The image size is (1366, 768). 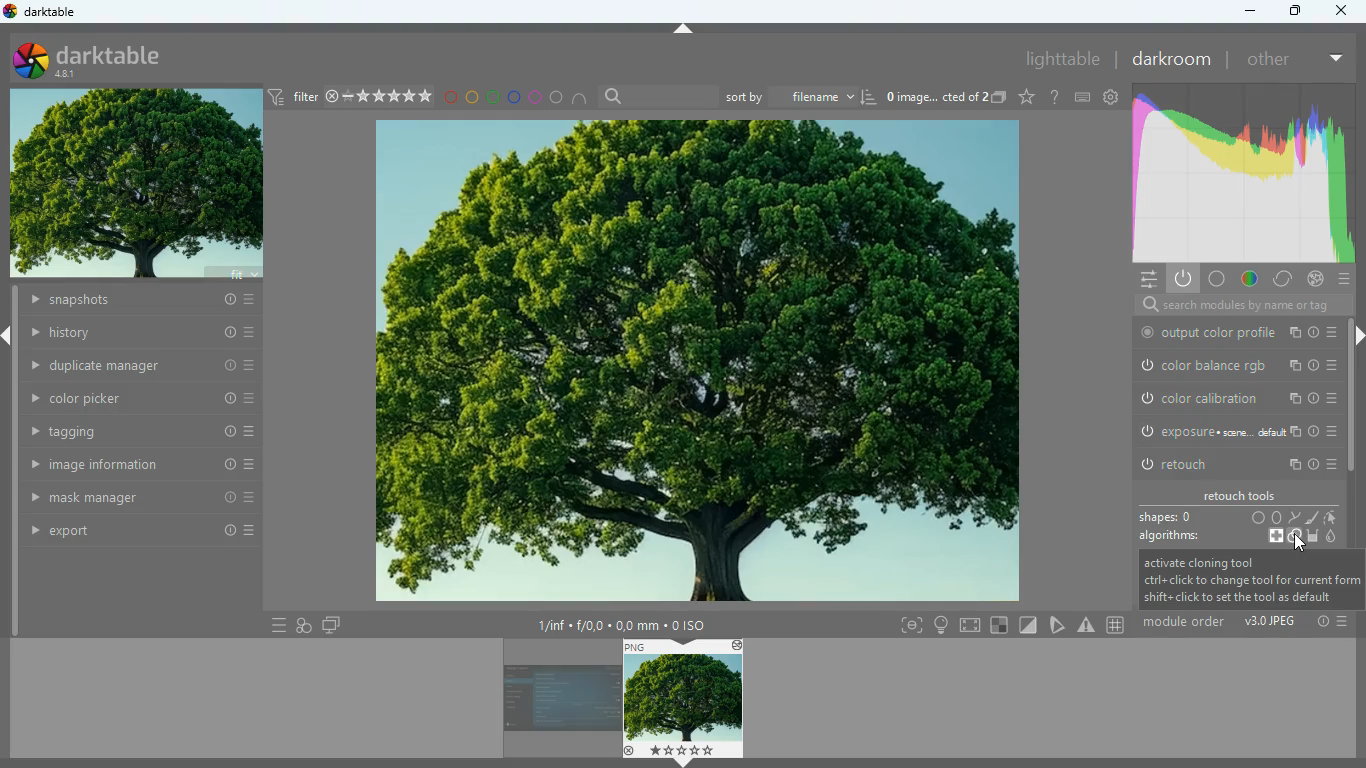 What do you see at coordinates (1300, 544) in the screenshot?
I see `cursor on cloning` at bounding box center [1300, 544].